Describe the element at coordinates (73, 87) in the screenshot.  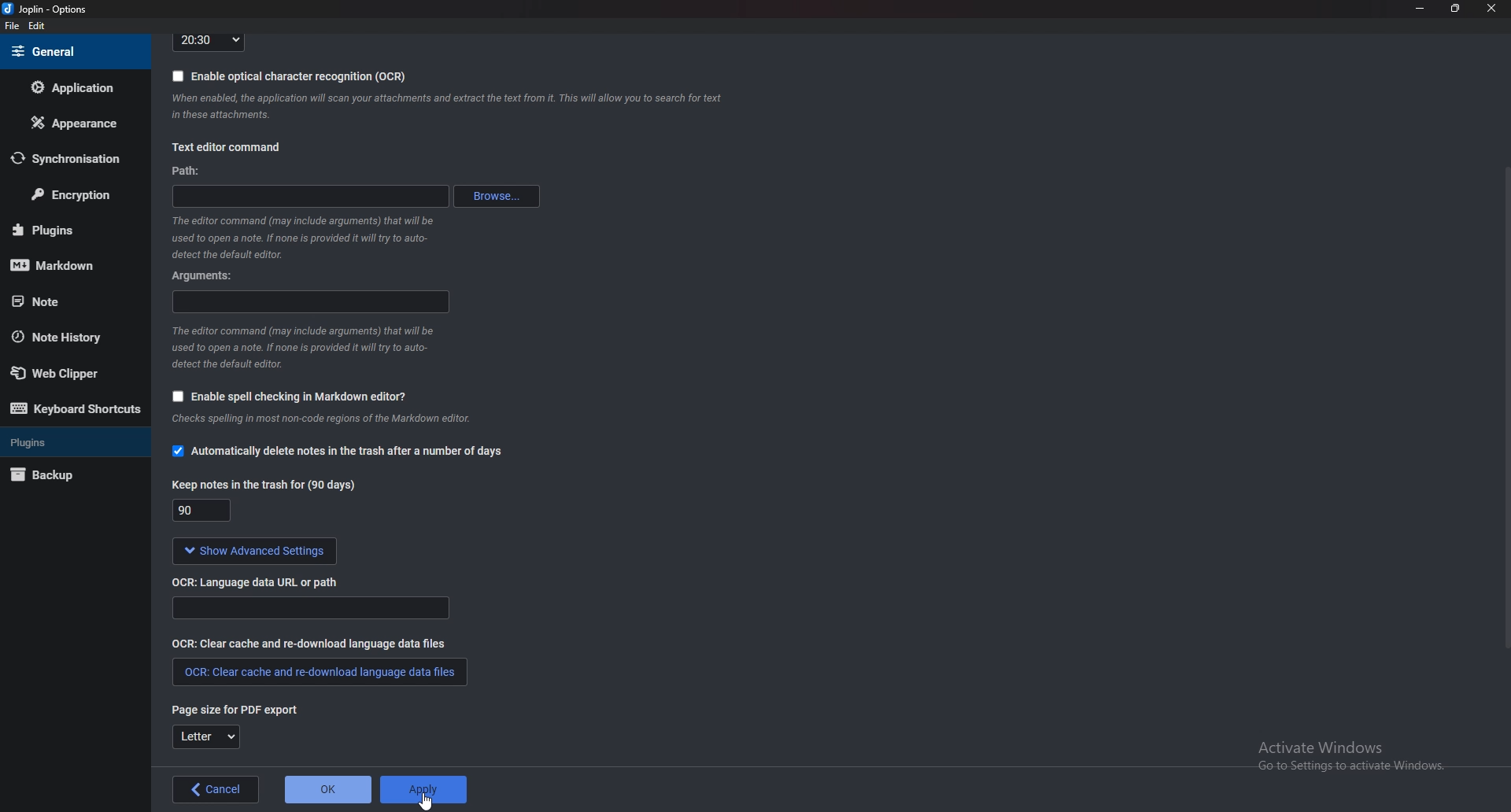
I see `Application` at that location.